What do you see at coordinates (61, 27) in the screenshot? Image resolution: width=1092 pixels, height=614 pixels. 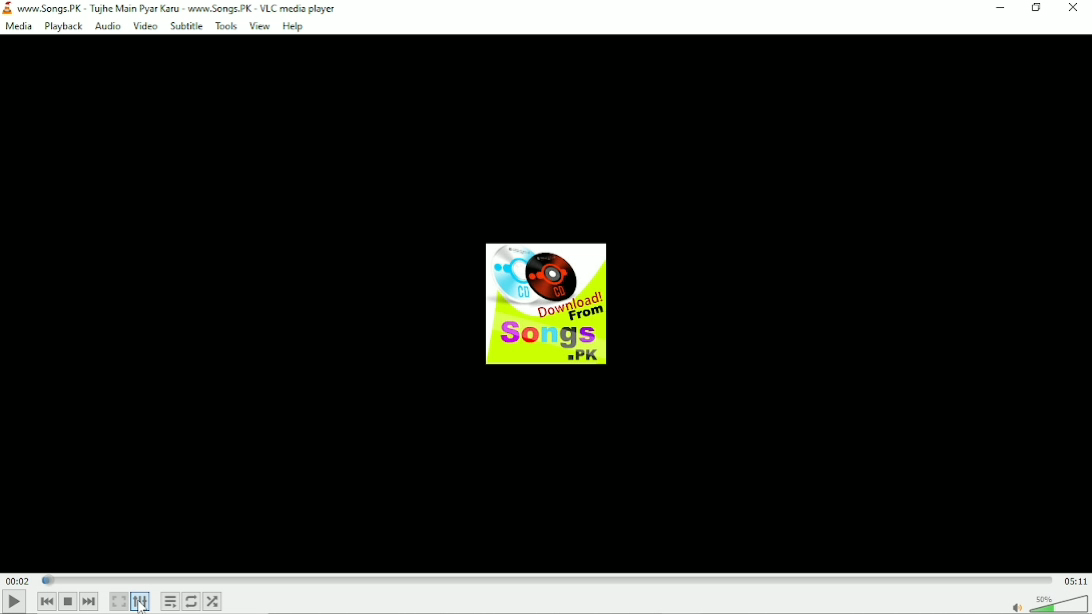 I see `Playback` at bounding box center [61, 27].